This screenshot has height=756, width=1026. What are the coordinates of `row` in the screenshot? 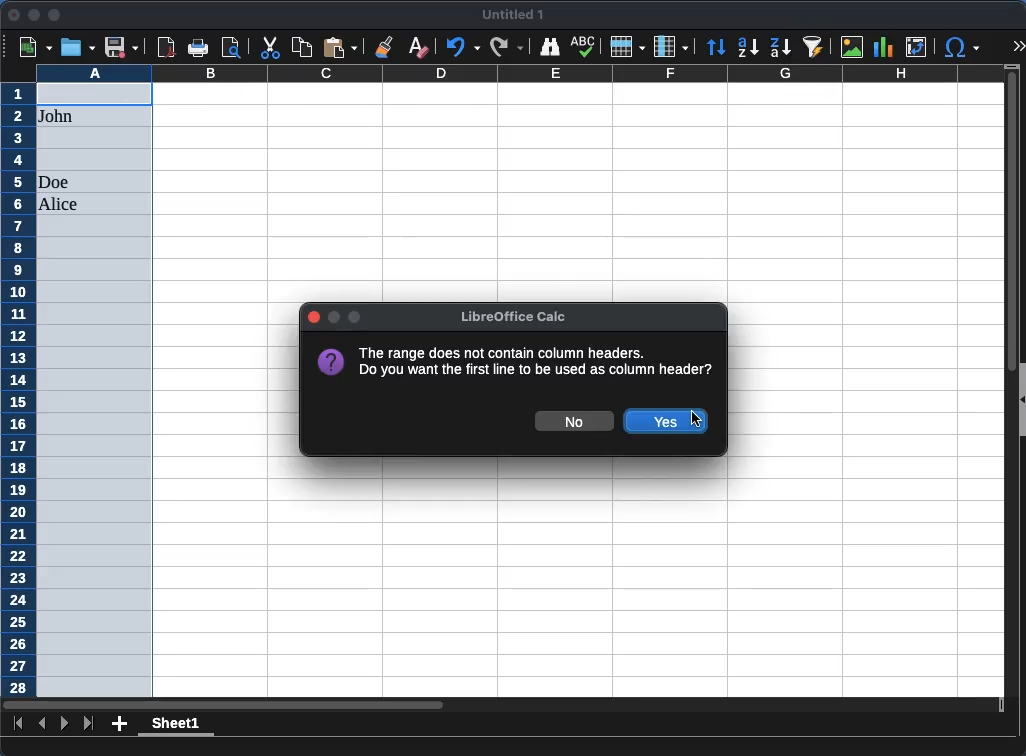 It's located at (626, 46).